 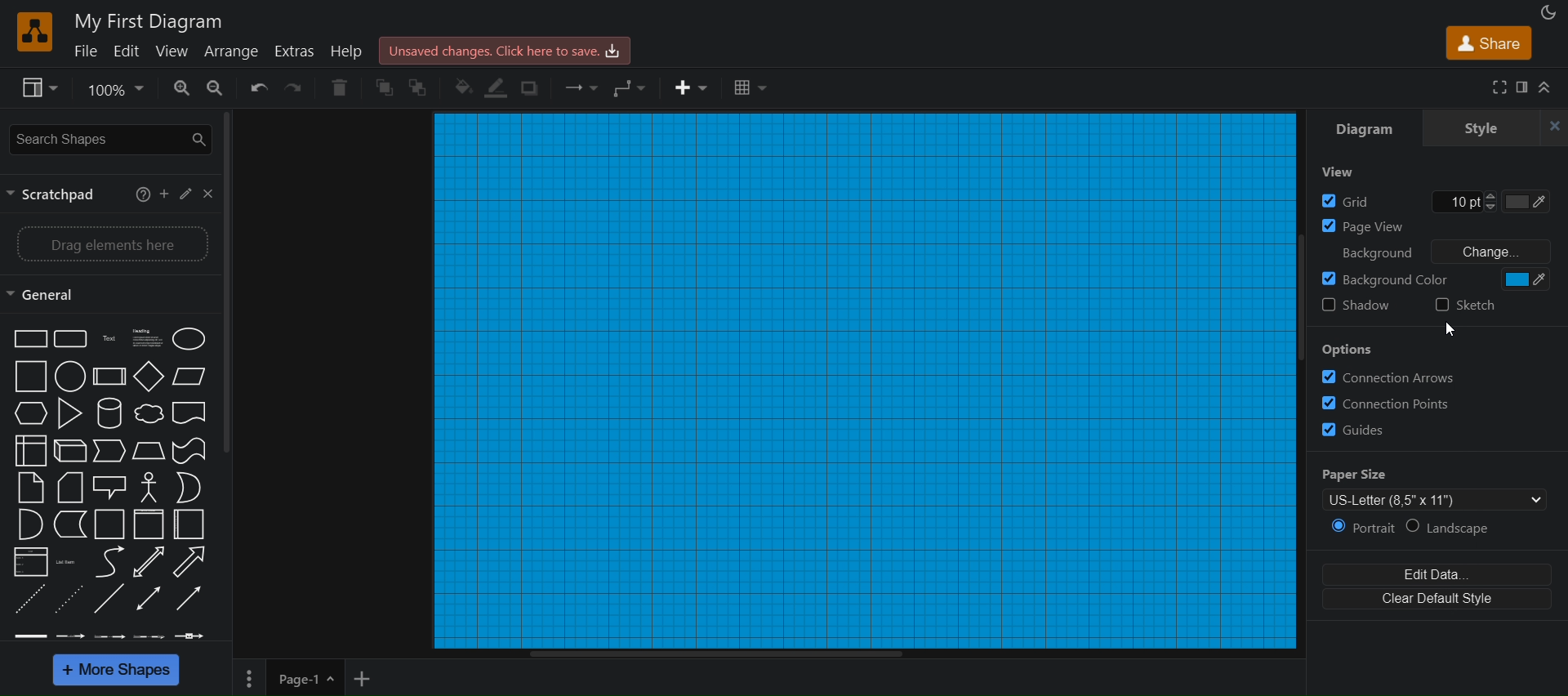 I want to click on style, so click(x=1485, y=128).